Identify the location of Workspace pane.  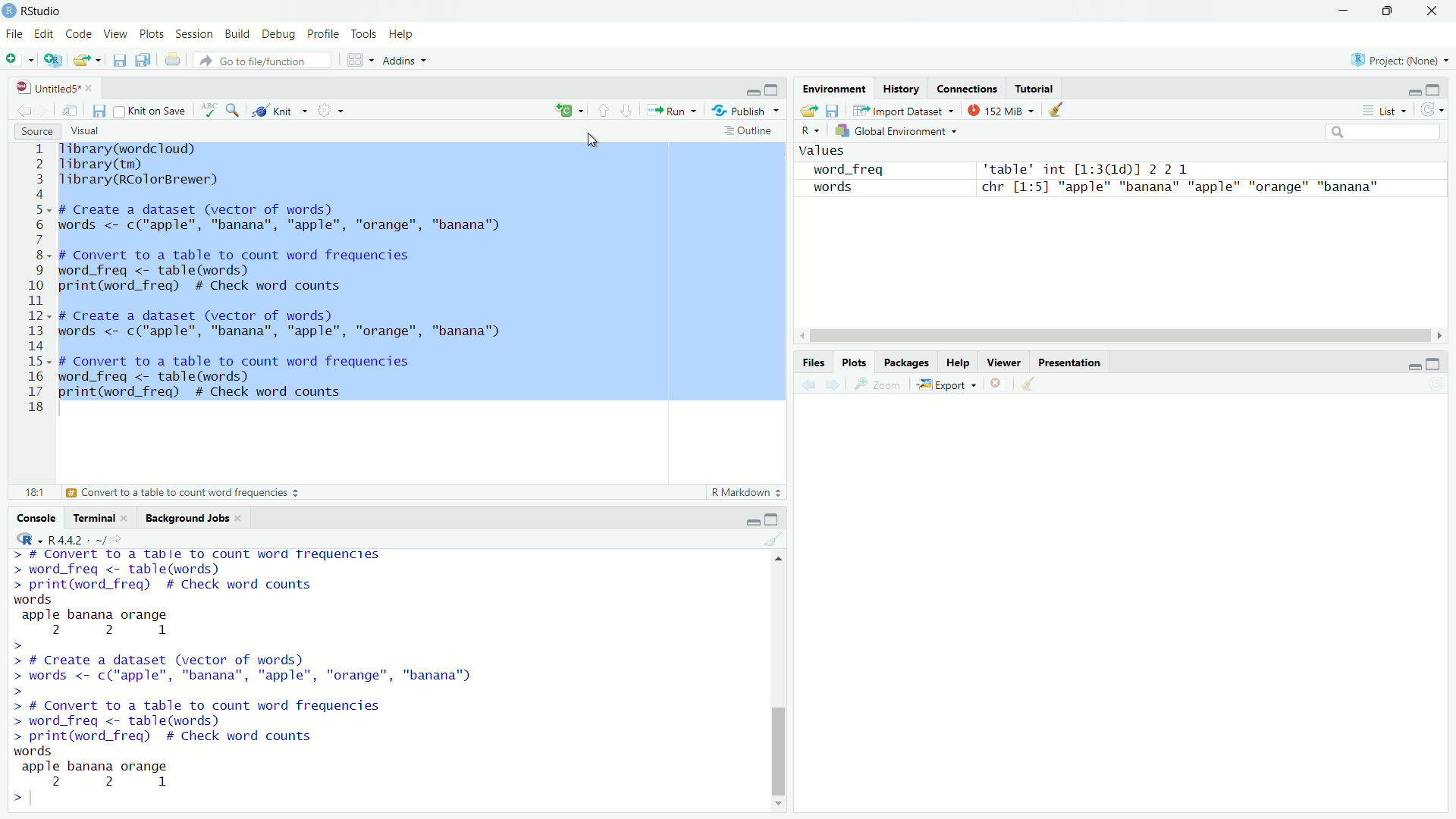
(360, 59).